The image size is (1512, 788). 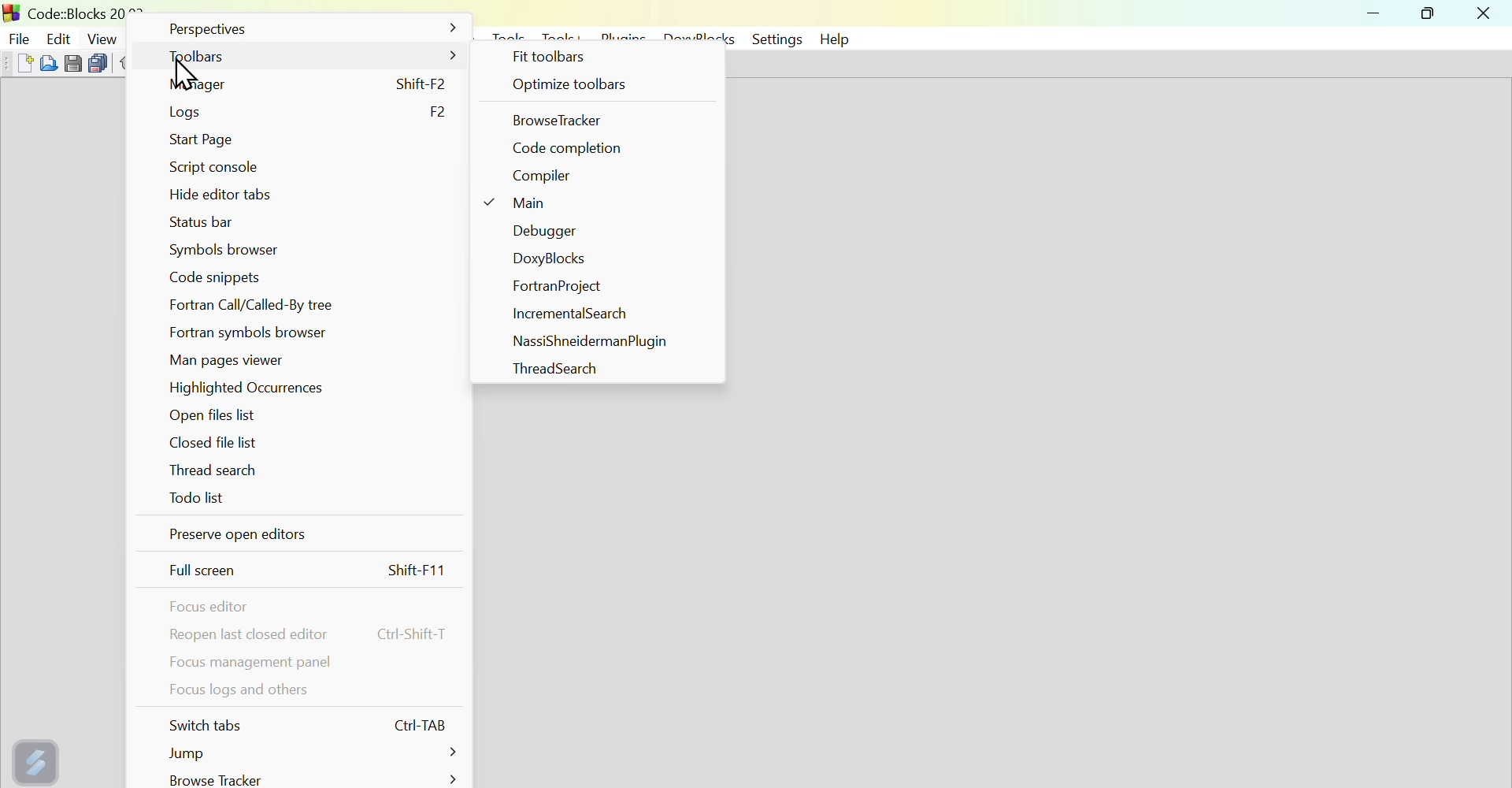 I want to click on Reopen last closed editor, so click(x=313, y=634).